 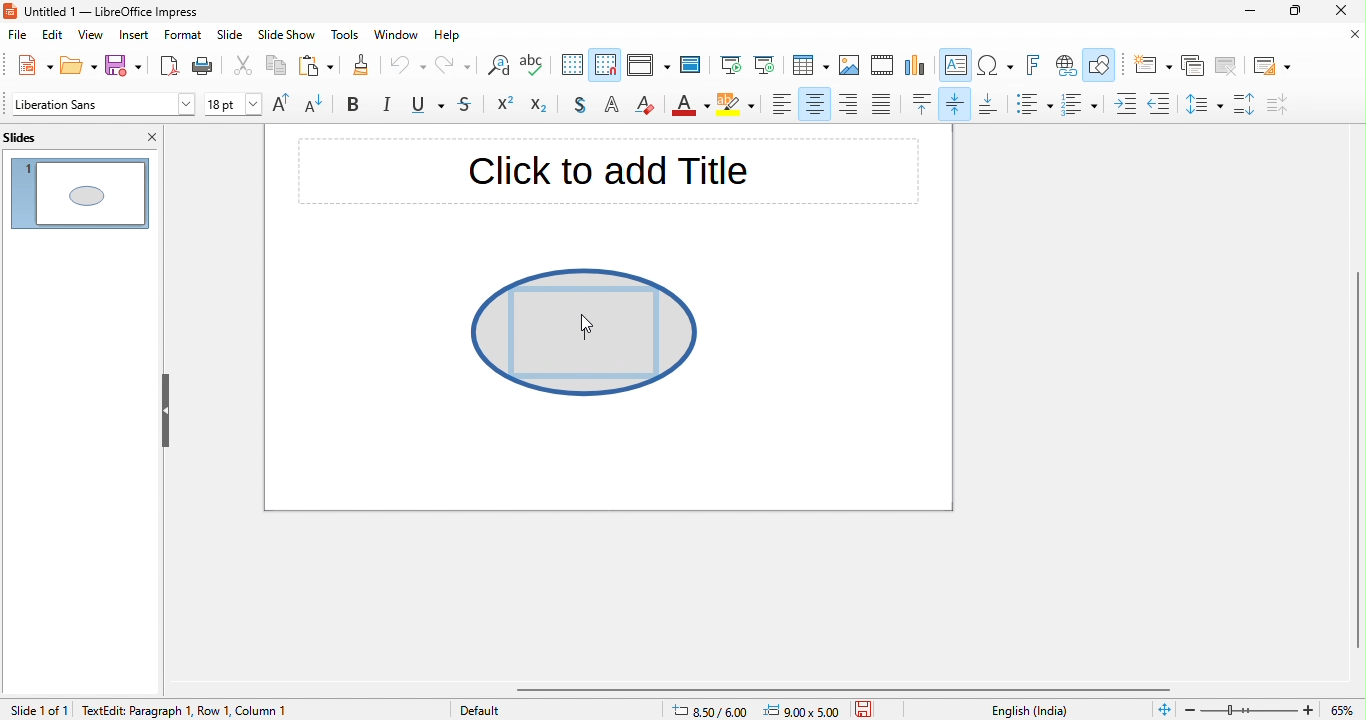 I want to click on increase font size, so click(x=285, y=105).